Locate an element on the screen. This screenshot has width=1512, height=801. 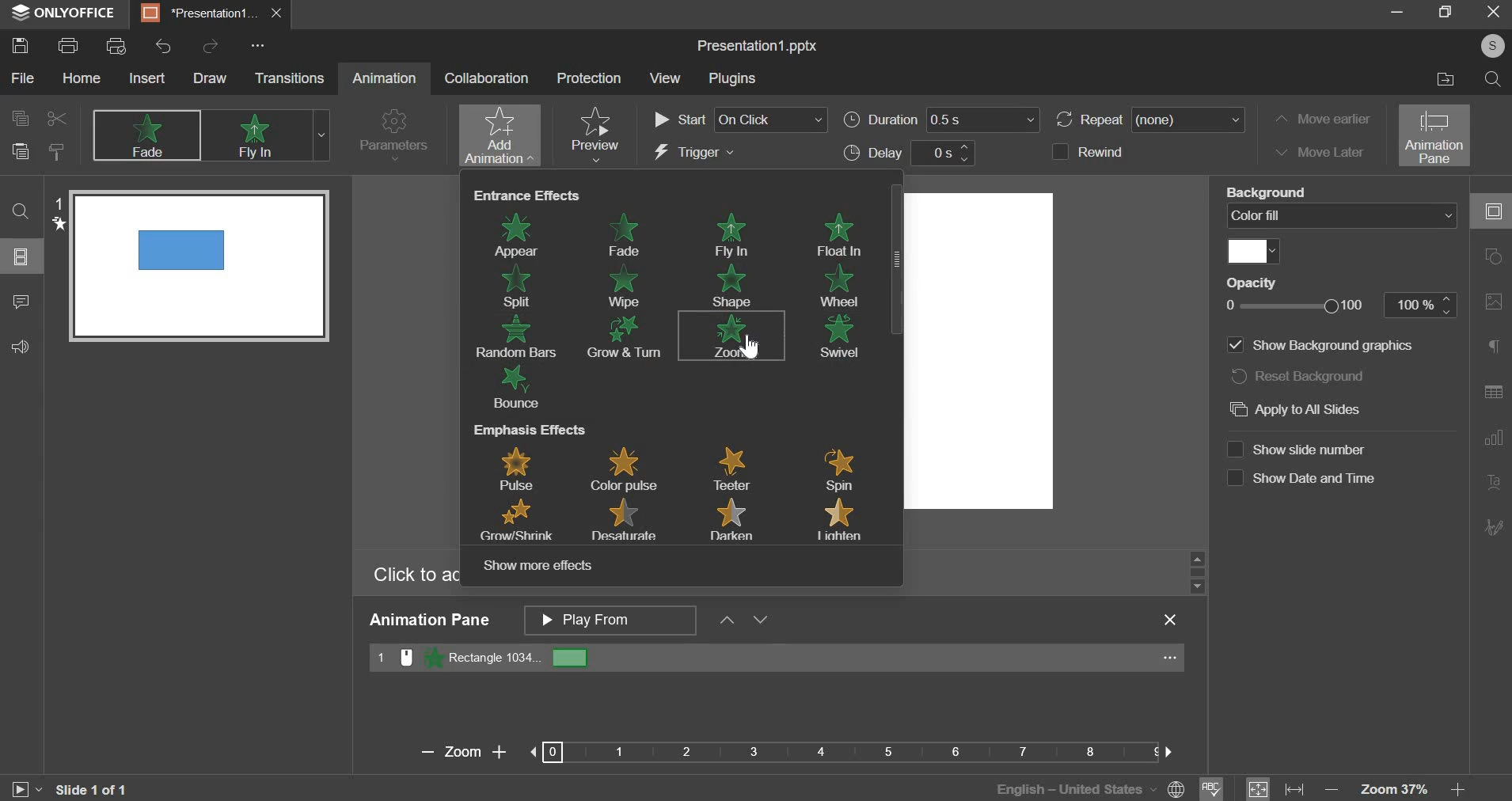
Slide Size is located at coordinates (1496, 346).